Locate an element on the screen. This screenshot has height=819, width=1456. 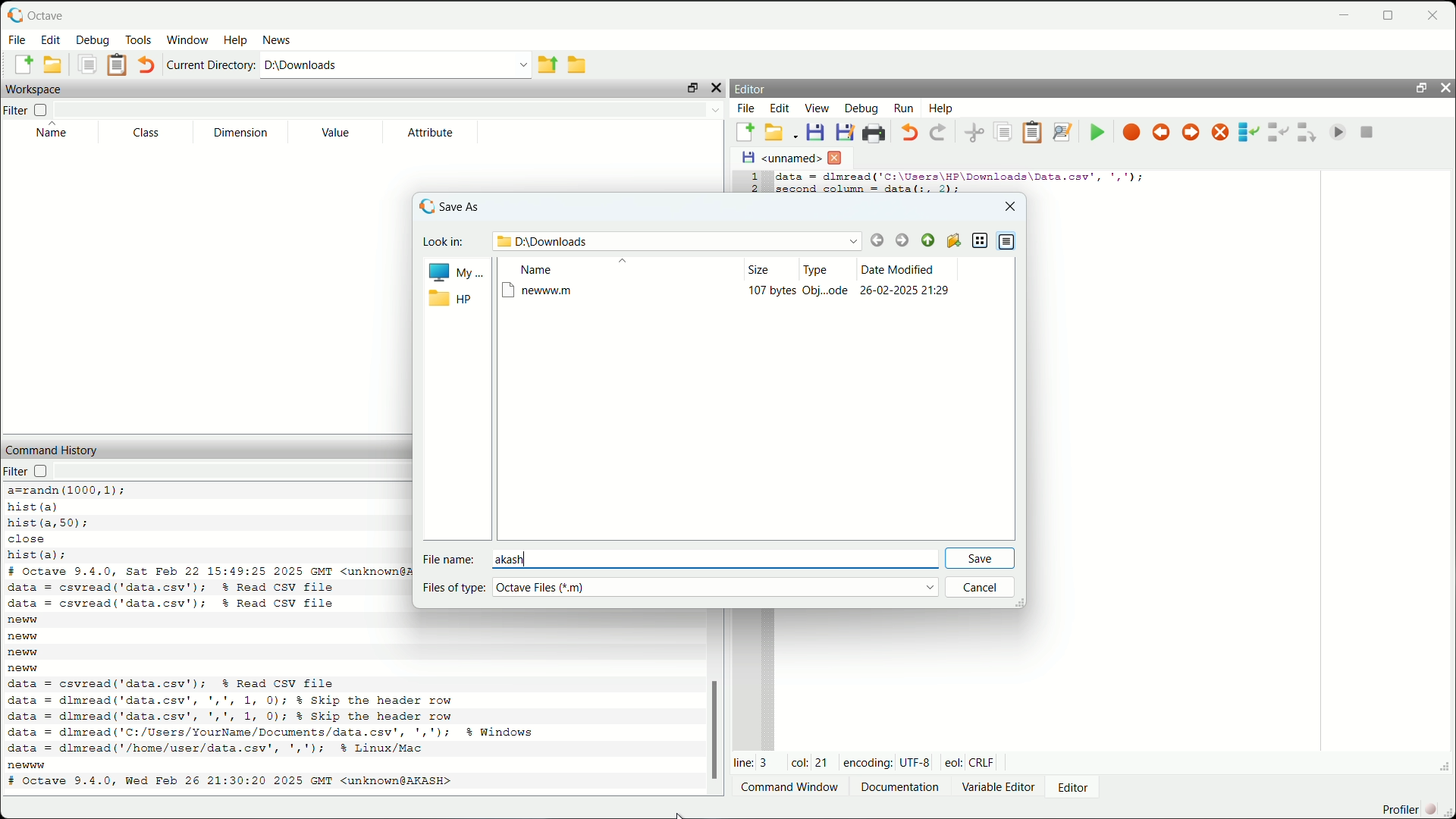
close is located at coordinates (1008, 208).